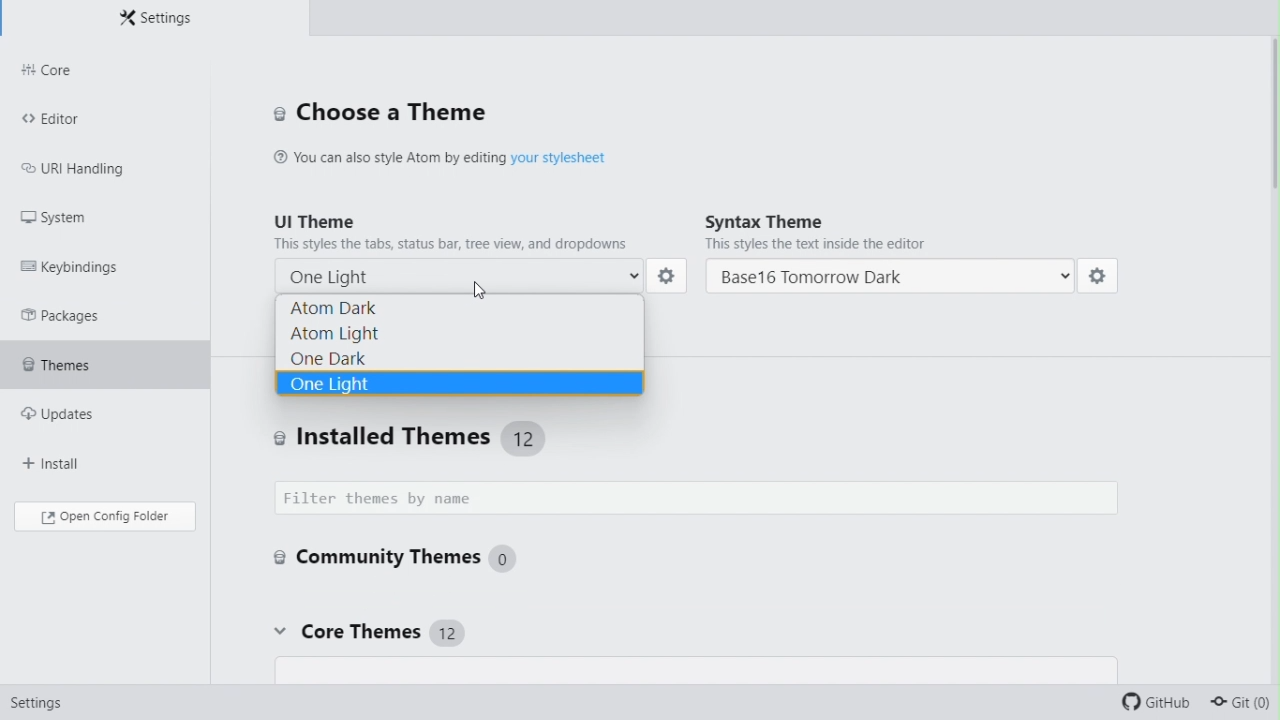  I want to click on Install, so click(77, 454).